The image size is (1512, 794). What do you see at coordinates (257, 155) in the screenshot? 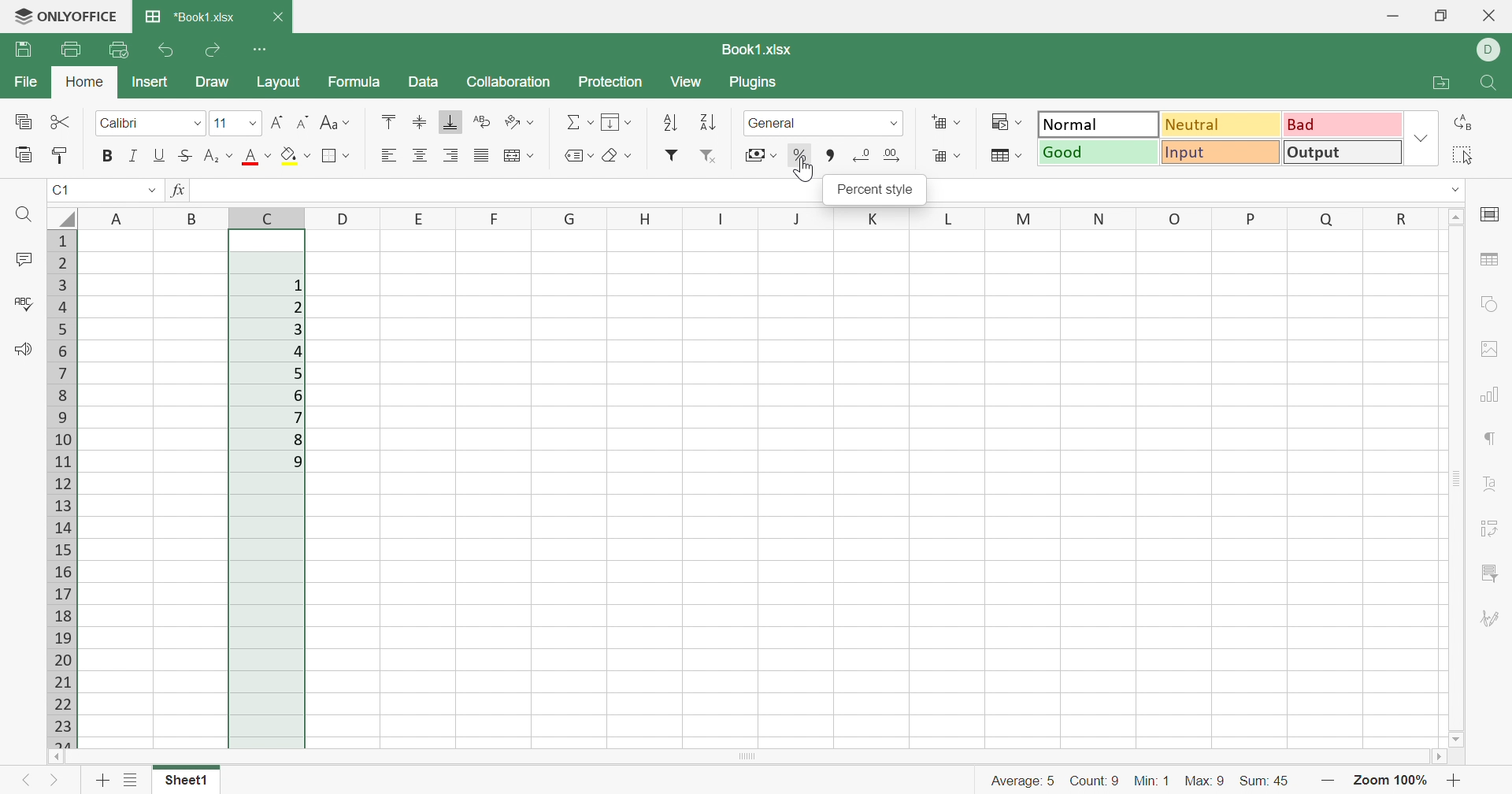
I see `Font color` at bounding box center [257, 155].